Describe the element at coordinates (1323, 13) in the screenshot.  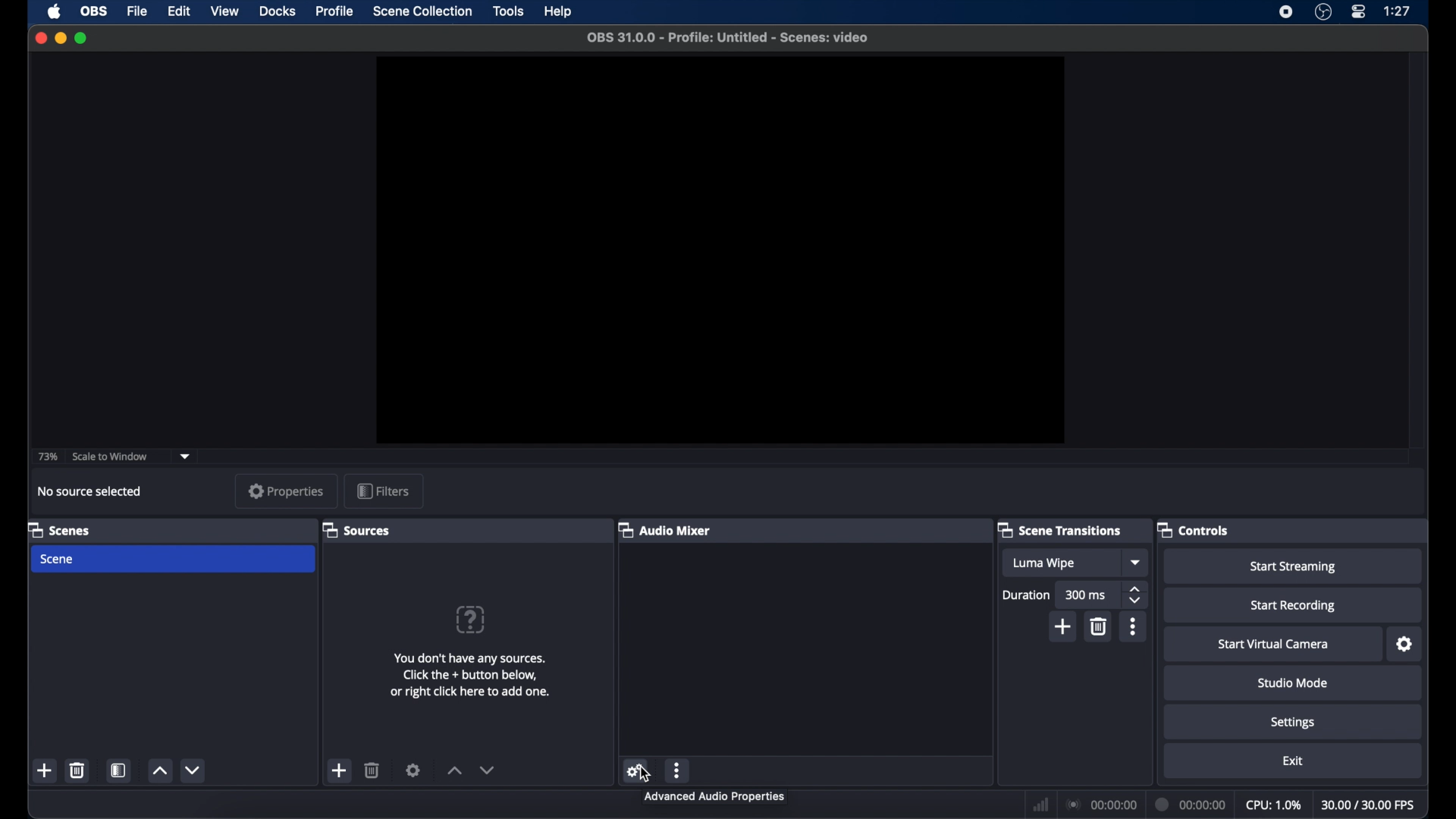
I see `obs studio` at that location.